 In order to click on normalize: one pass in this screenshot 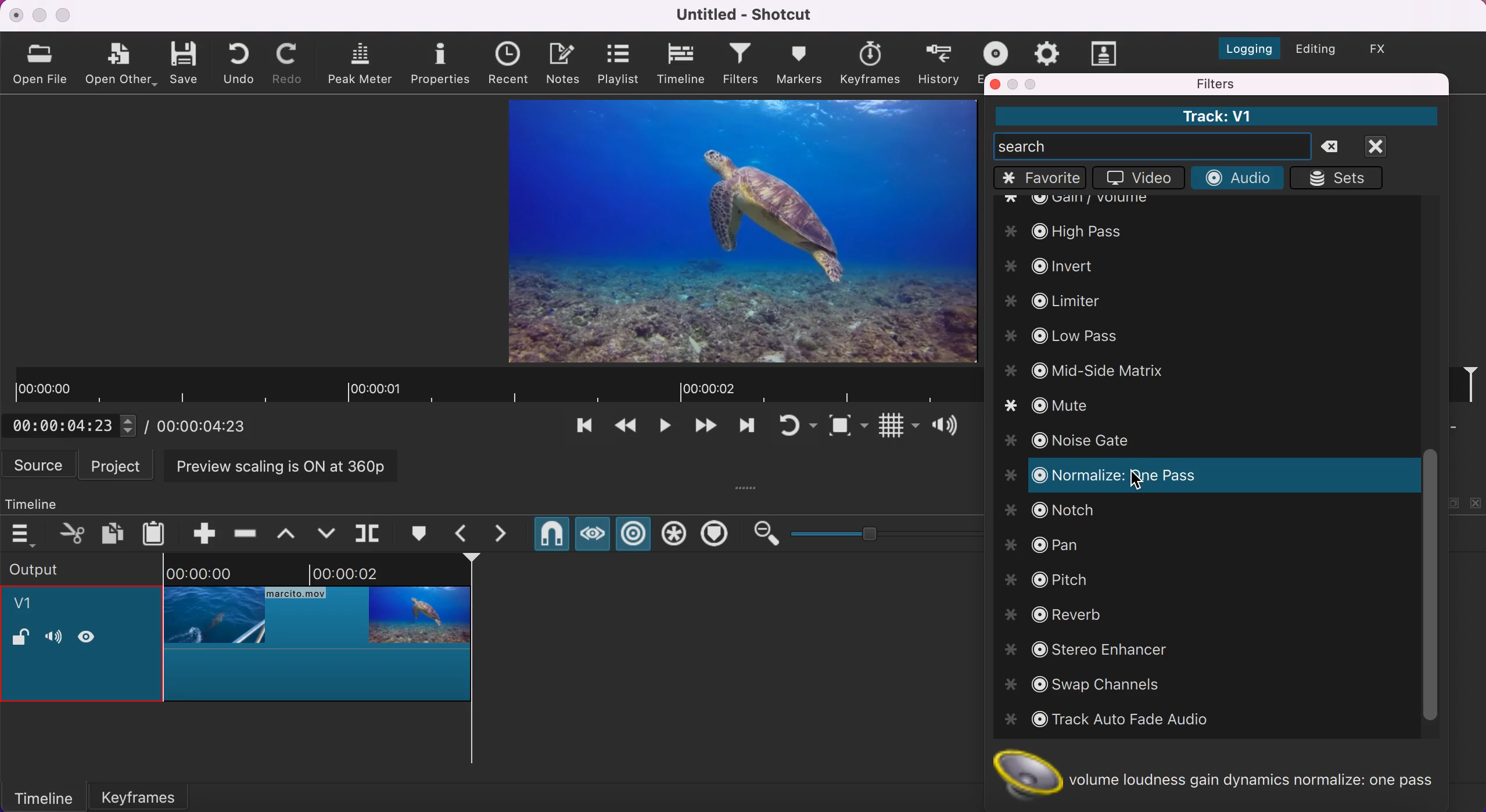, I will do `click(1117, 475)`.